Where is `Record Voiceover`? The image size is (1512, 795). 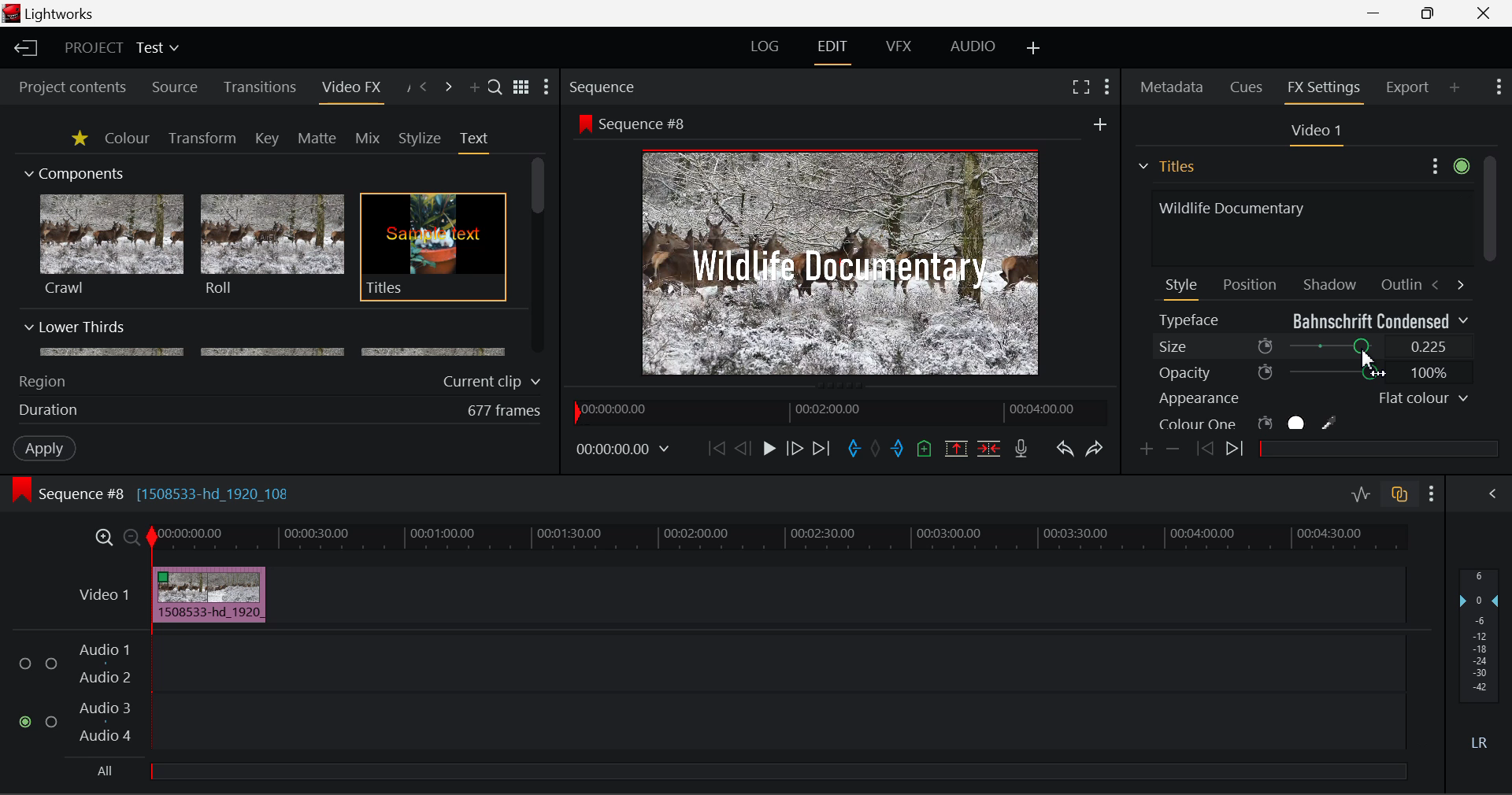 Record Voiceover is located at coordinates (1021, 452).